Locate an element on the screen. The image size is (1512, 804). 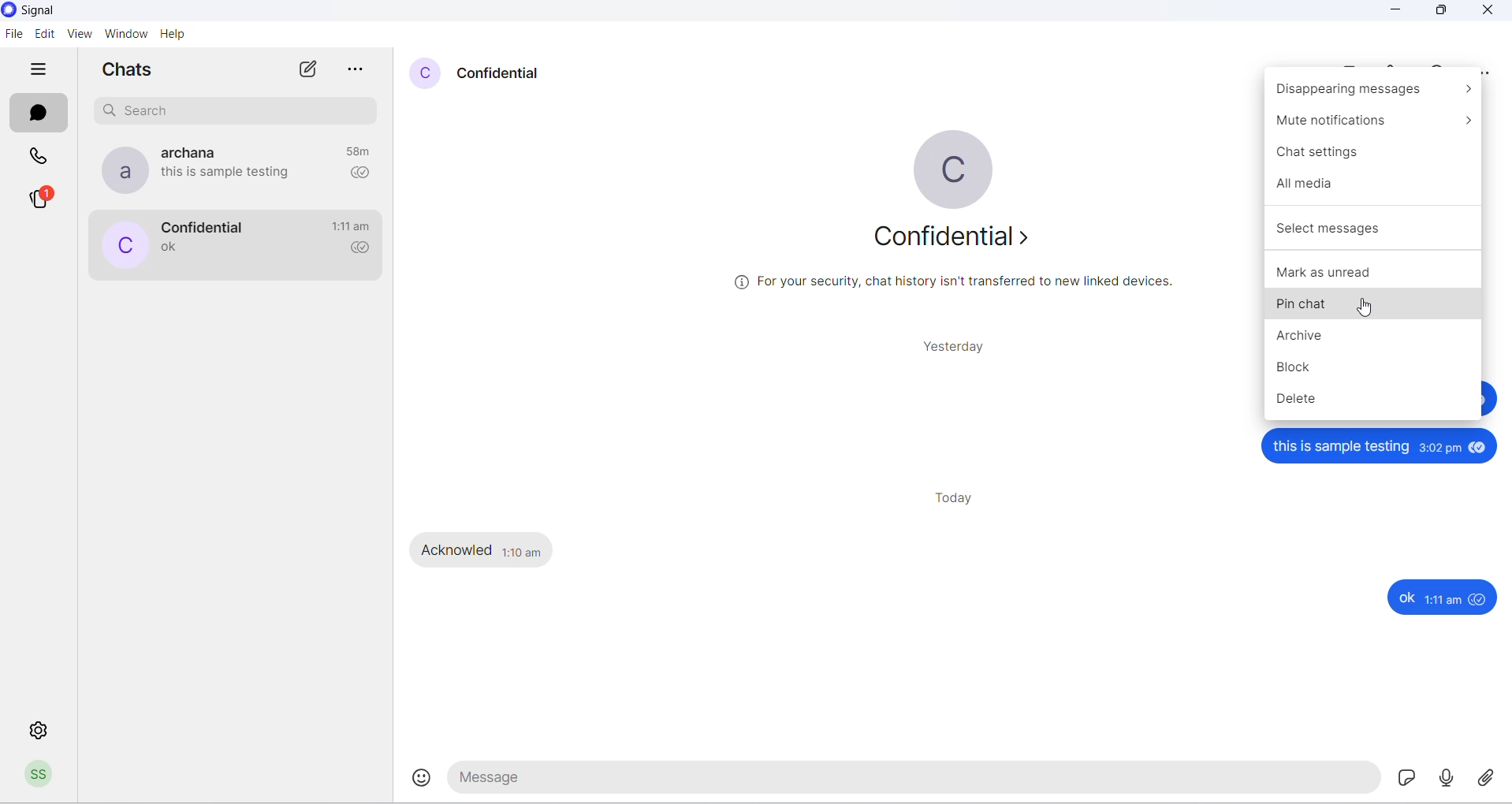
last message time is located at coordinates (352, 226).